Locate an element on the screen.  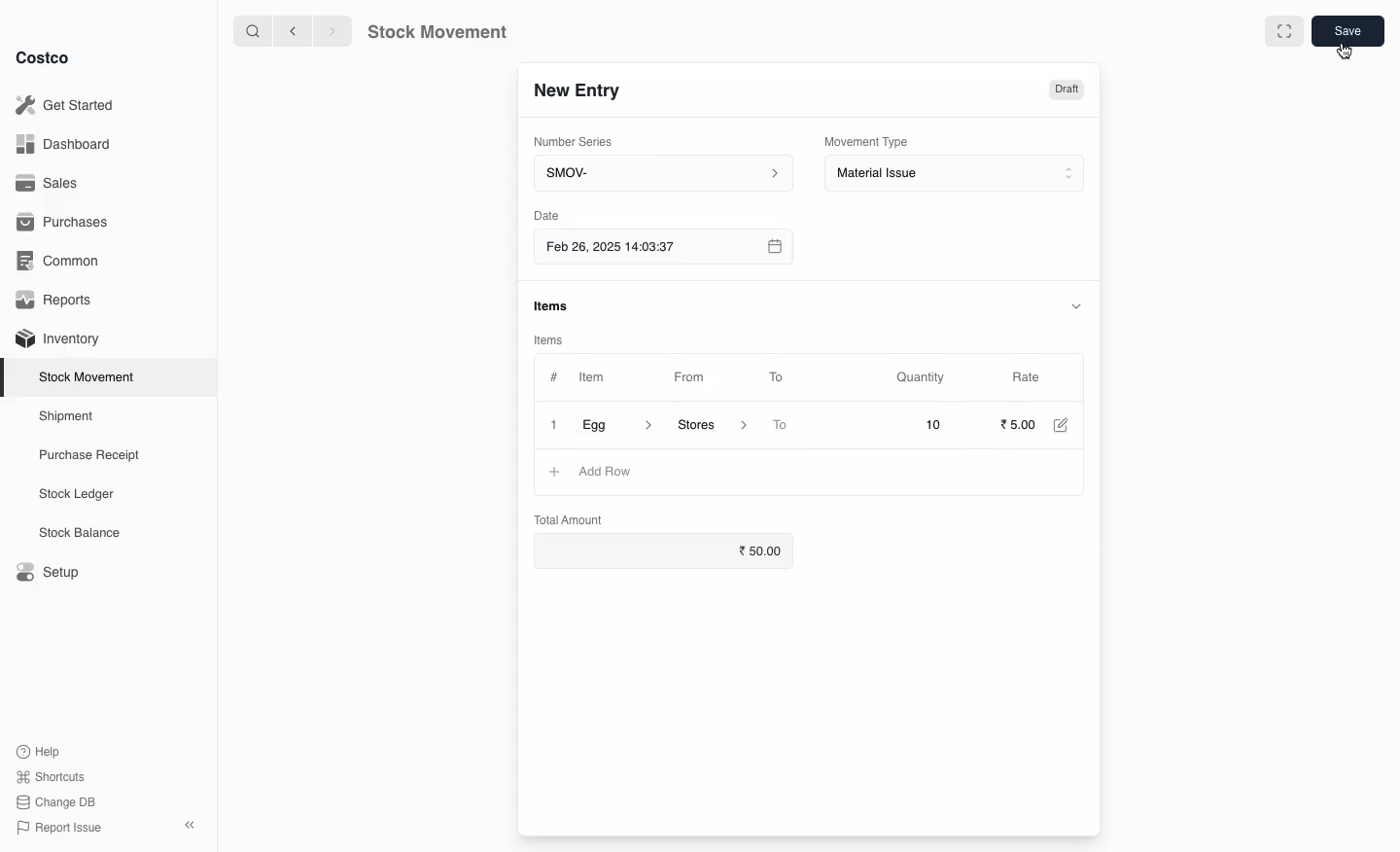
Rate is located at coordinates (1027, 374).